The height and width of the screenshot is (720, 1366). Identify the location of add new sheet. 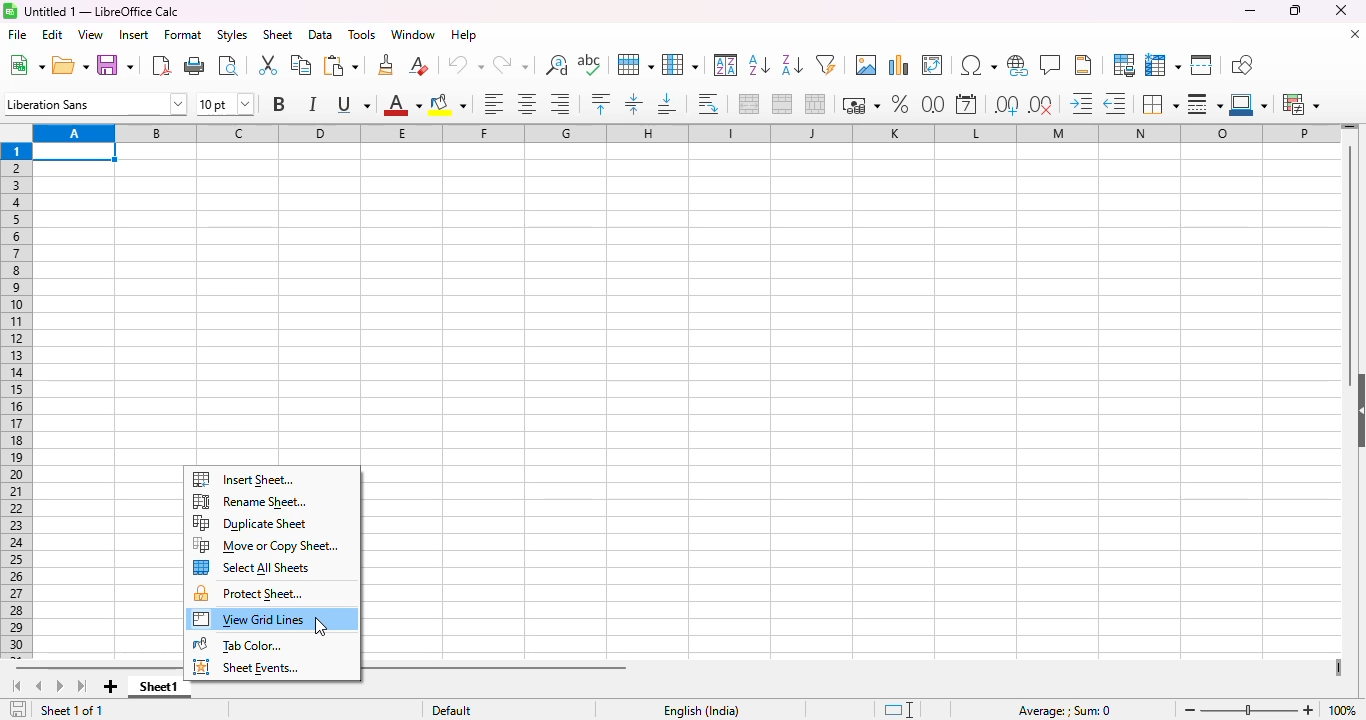
(111, 687).